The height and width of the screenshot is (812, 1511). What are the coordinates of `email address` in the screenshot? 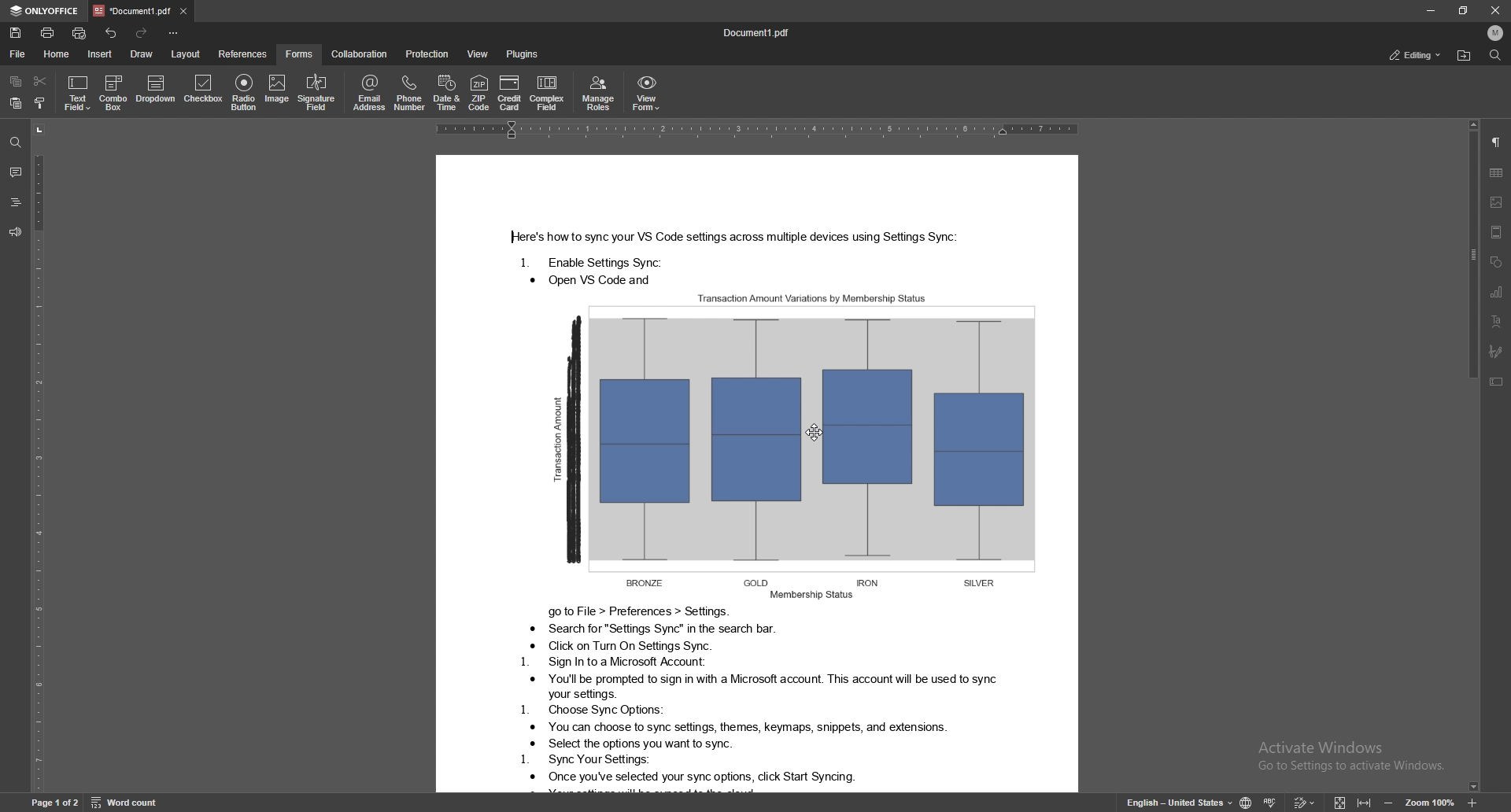 It's located at (369, 92).